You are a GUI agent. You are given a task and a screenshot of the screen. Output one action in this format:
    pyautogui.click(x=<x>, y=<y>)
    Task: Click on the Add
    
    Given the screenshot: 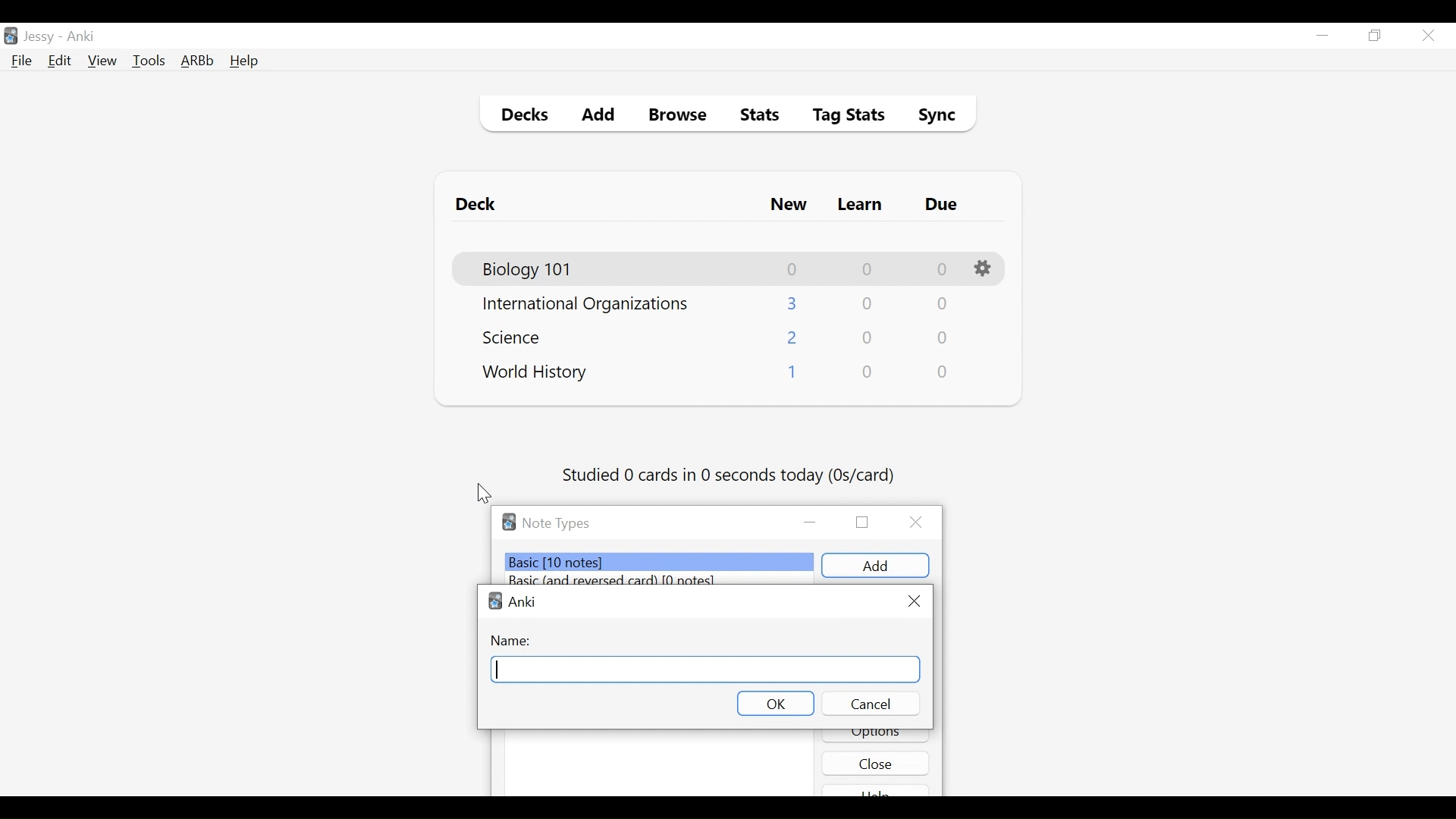 What is the action you would take?
    pyautogui.click(x=599, y=117)
    